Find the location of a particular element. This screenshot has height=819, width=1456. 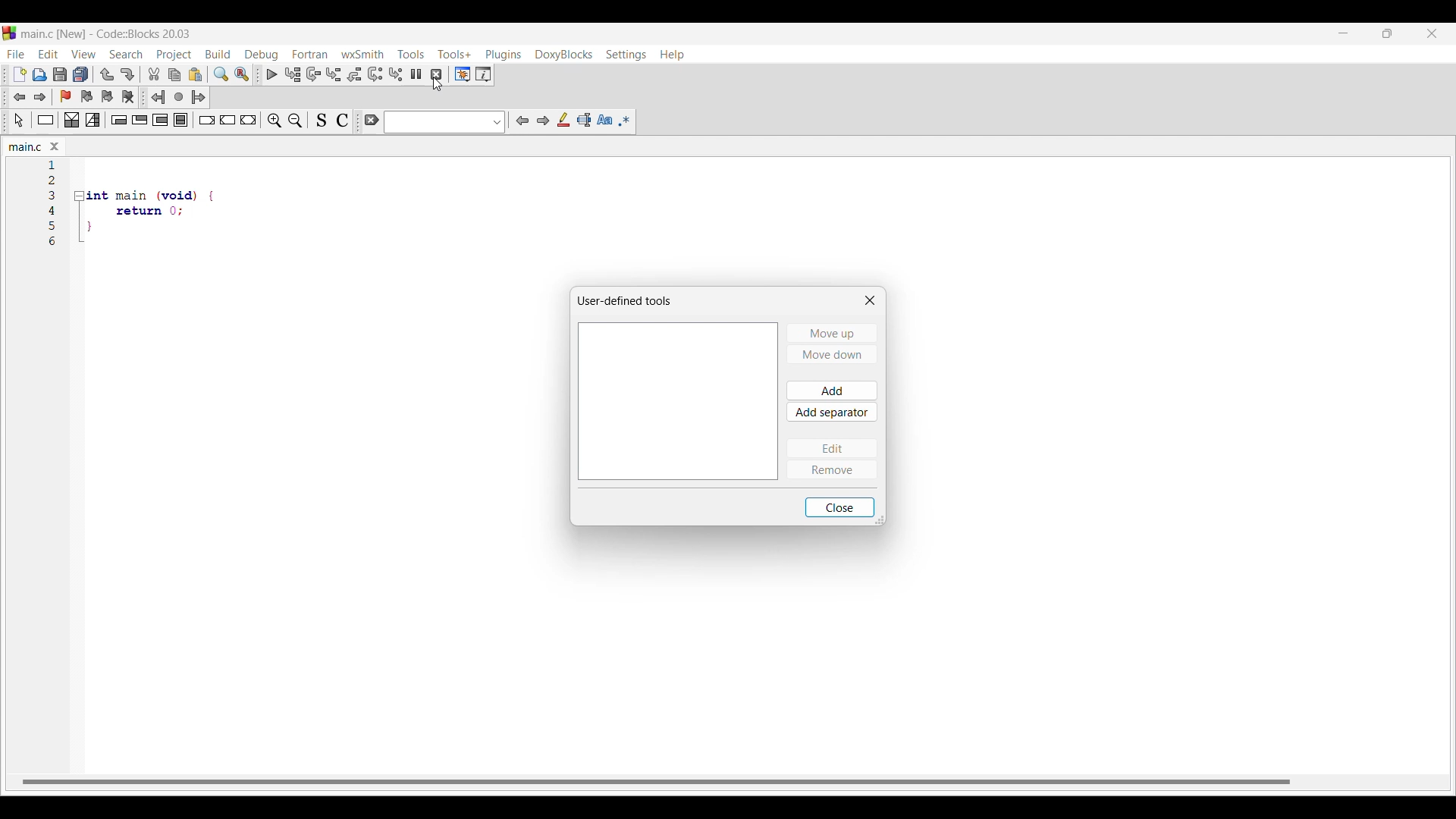

Add separator is located at coordinates (832, 412).